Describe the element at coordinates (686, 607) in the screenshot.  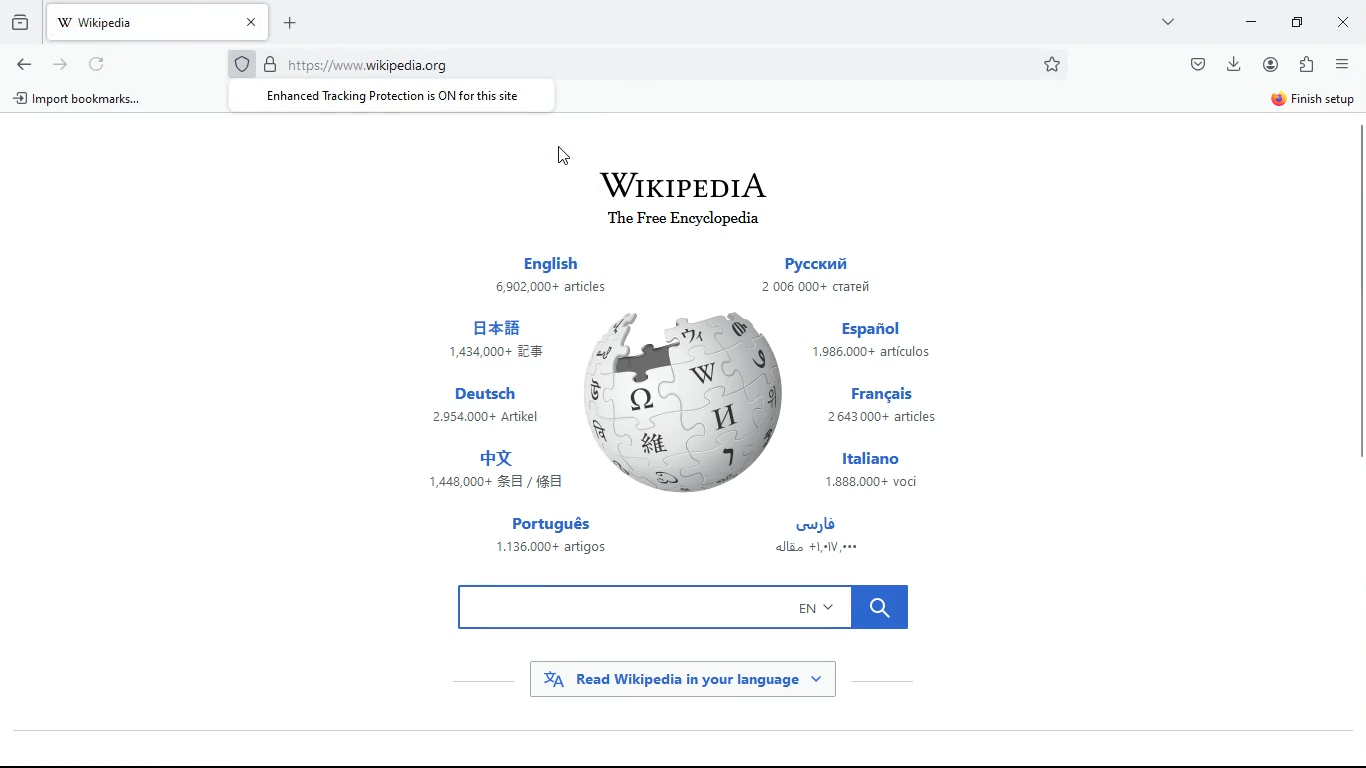
I see `search bar` at that location.